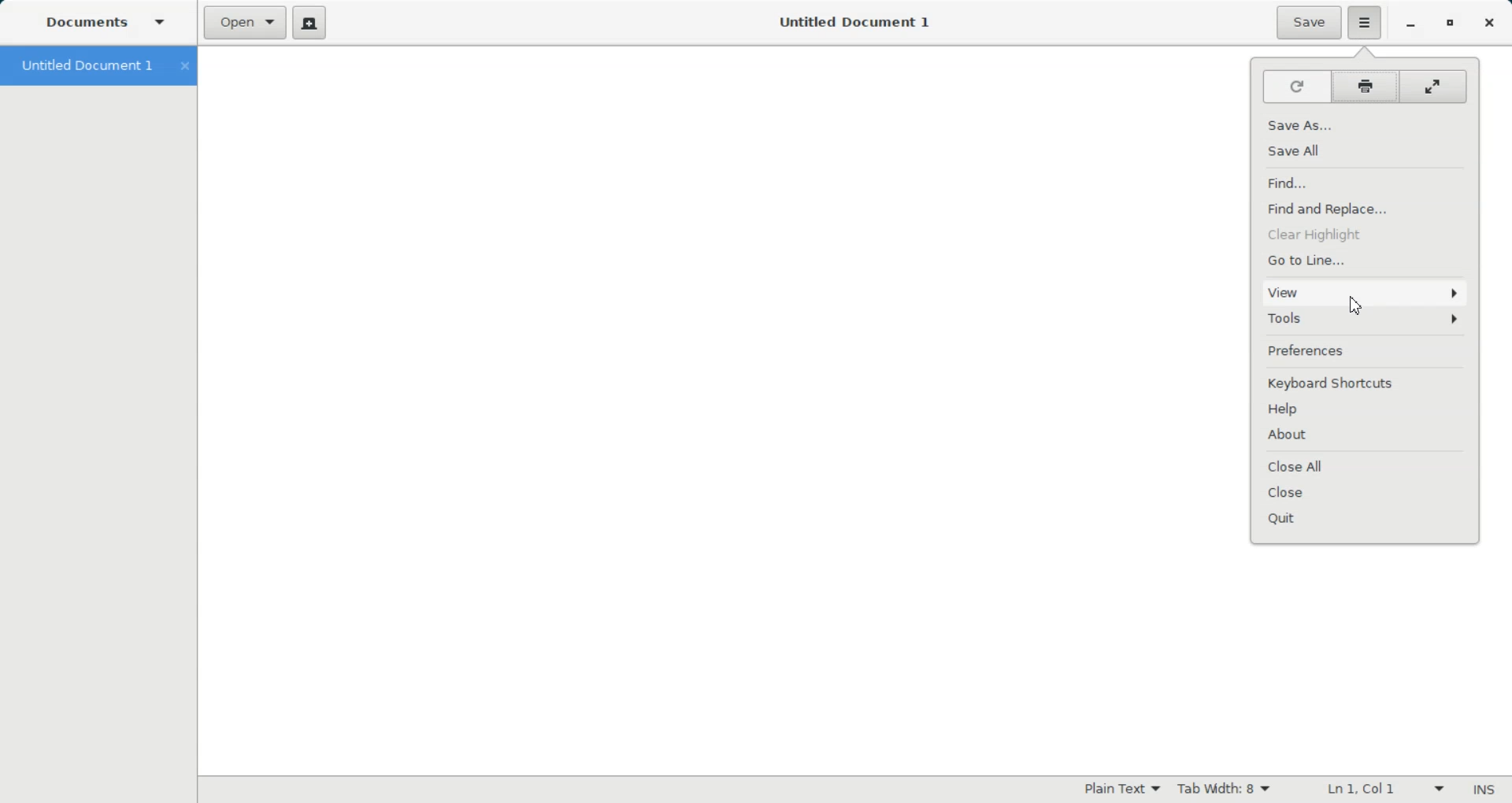 The width and height of the screenshot is (1512, 803). Describe the element at coordinates (1366, 208) in the screenshot. I see `Find and Replace` at that location.